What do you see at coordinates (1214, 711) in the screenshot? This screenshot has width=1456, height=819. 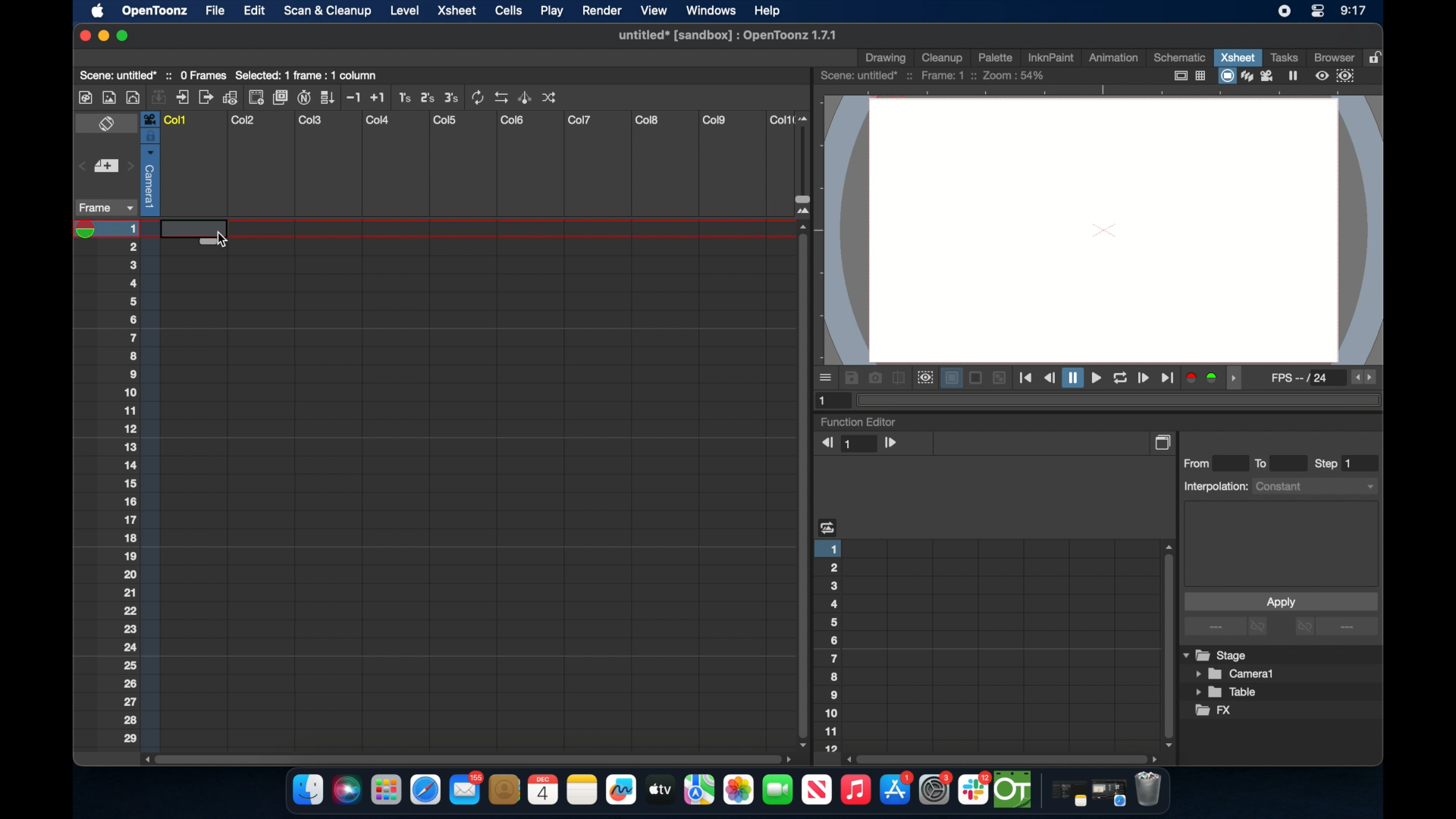 I see `fx` at bounding box center [1214, 711].